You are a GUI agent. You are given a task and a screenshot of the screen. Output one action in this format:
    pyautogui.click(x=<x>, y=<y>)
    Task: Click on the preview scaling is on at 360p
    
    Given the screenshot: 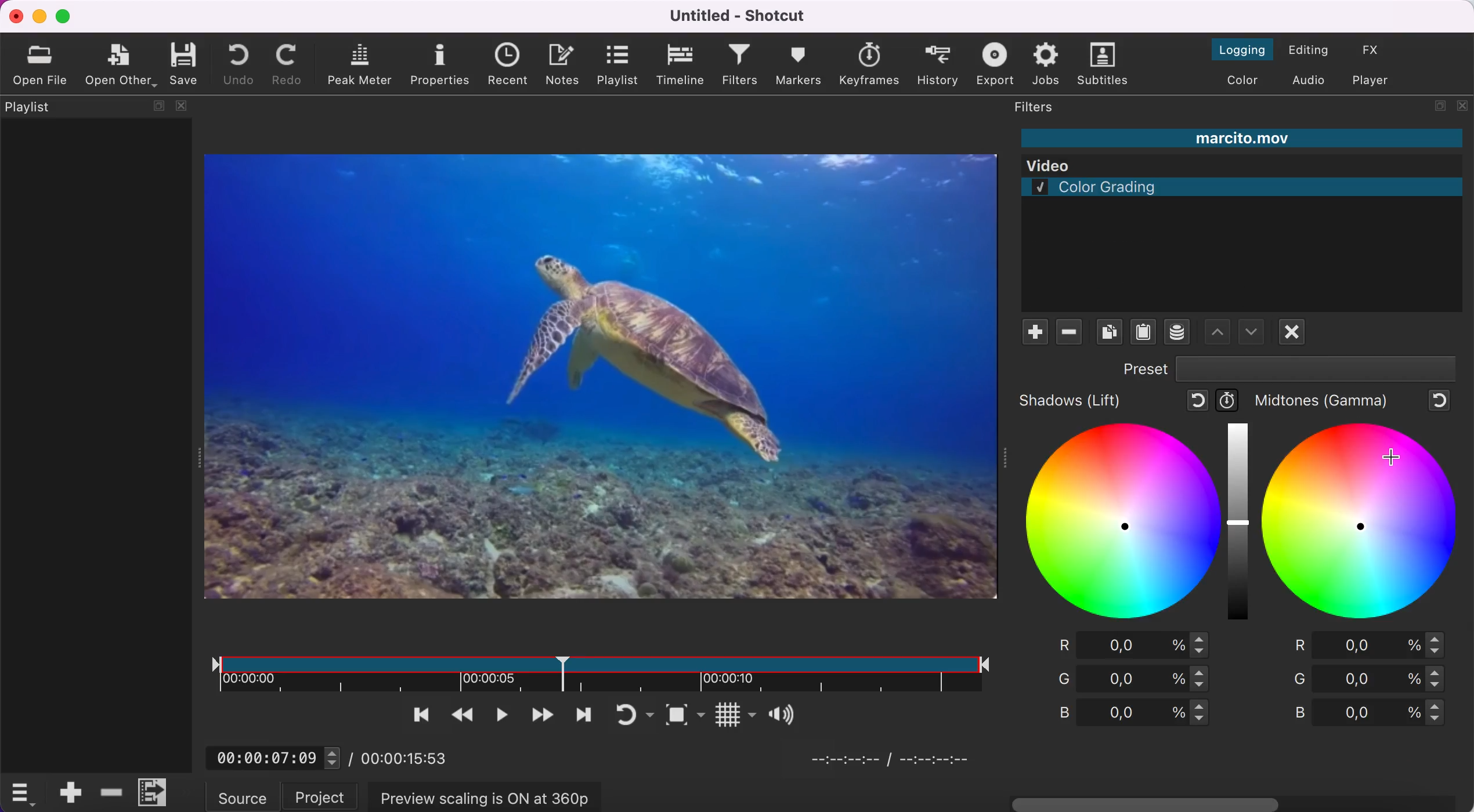 What is the action you would take?
    pyautogui.click(x=482, y=797)
    